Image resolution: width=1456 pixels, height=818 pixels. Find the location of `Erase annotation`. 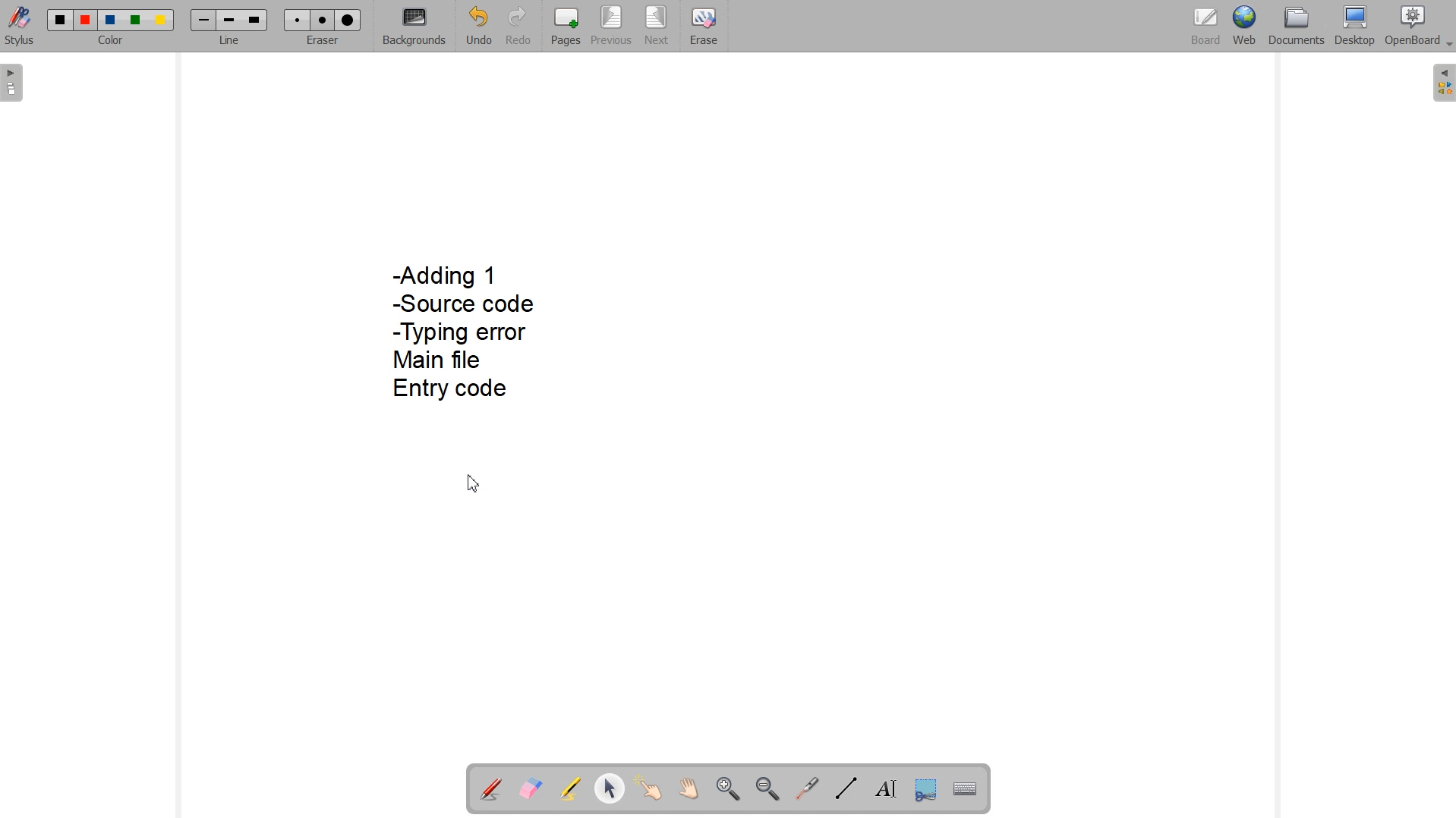

Erase annotation is located at coordinates (531, 788).